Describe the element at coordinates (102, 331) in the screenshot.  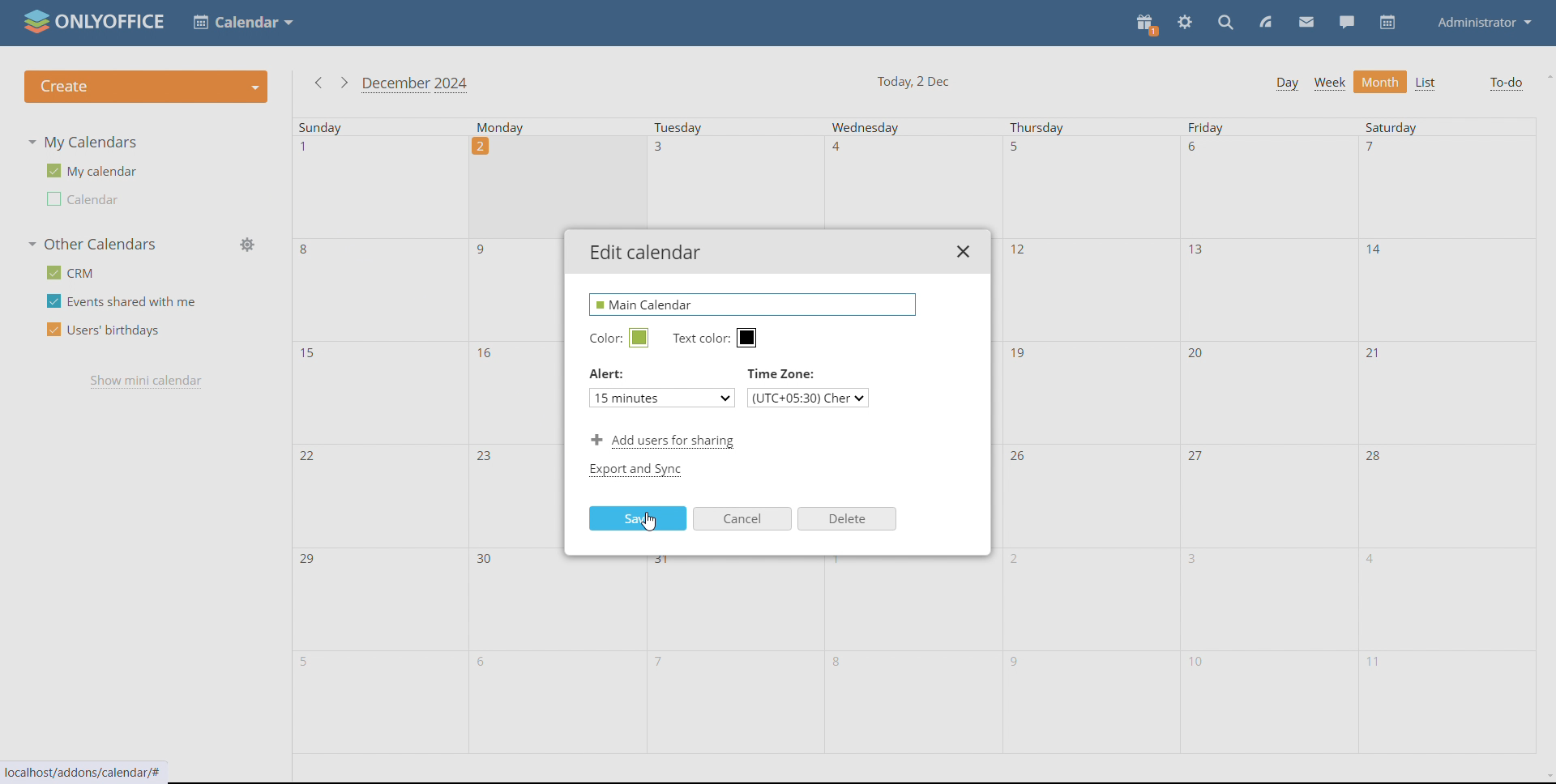
I see `users' birthdays` at that location.